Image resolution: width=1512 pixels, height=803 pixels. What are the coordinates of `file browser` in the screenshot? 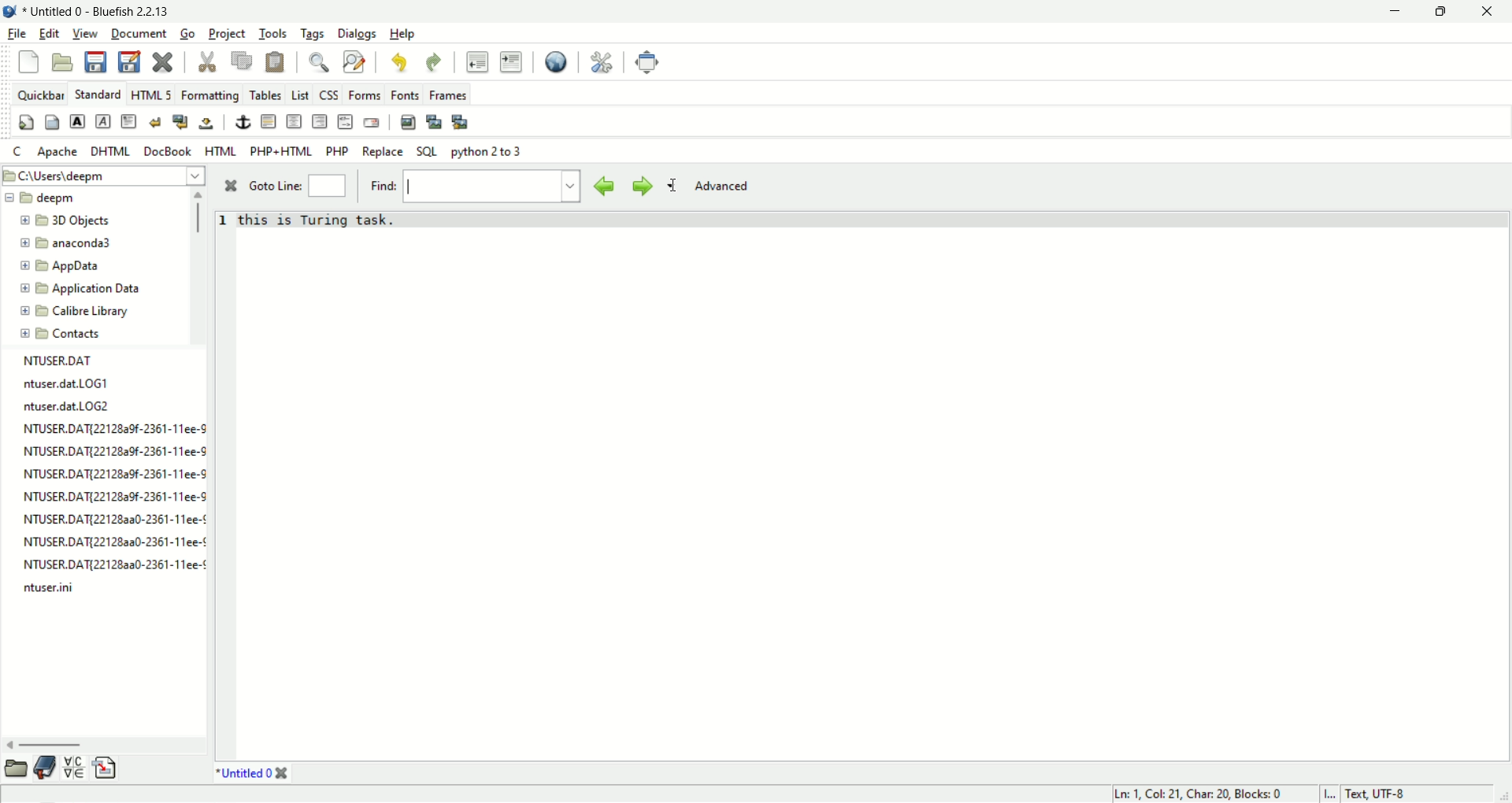 It's located at (15, 767).